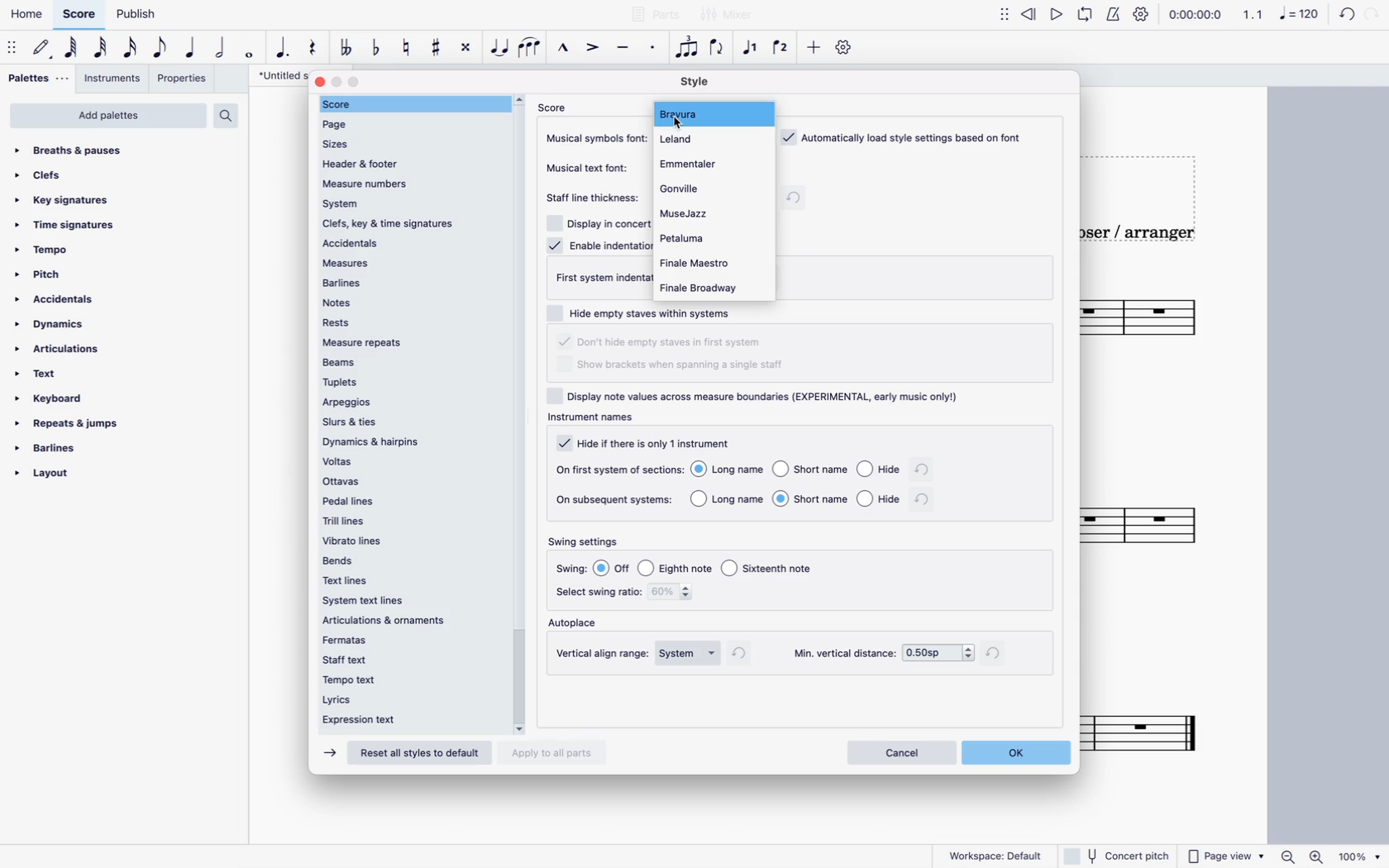 This screenshot has width=1389, height=868. Describe the element at coordinates (743, 653) in the screenshot. I see `refresh` at that location.